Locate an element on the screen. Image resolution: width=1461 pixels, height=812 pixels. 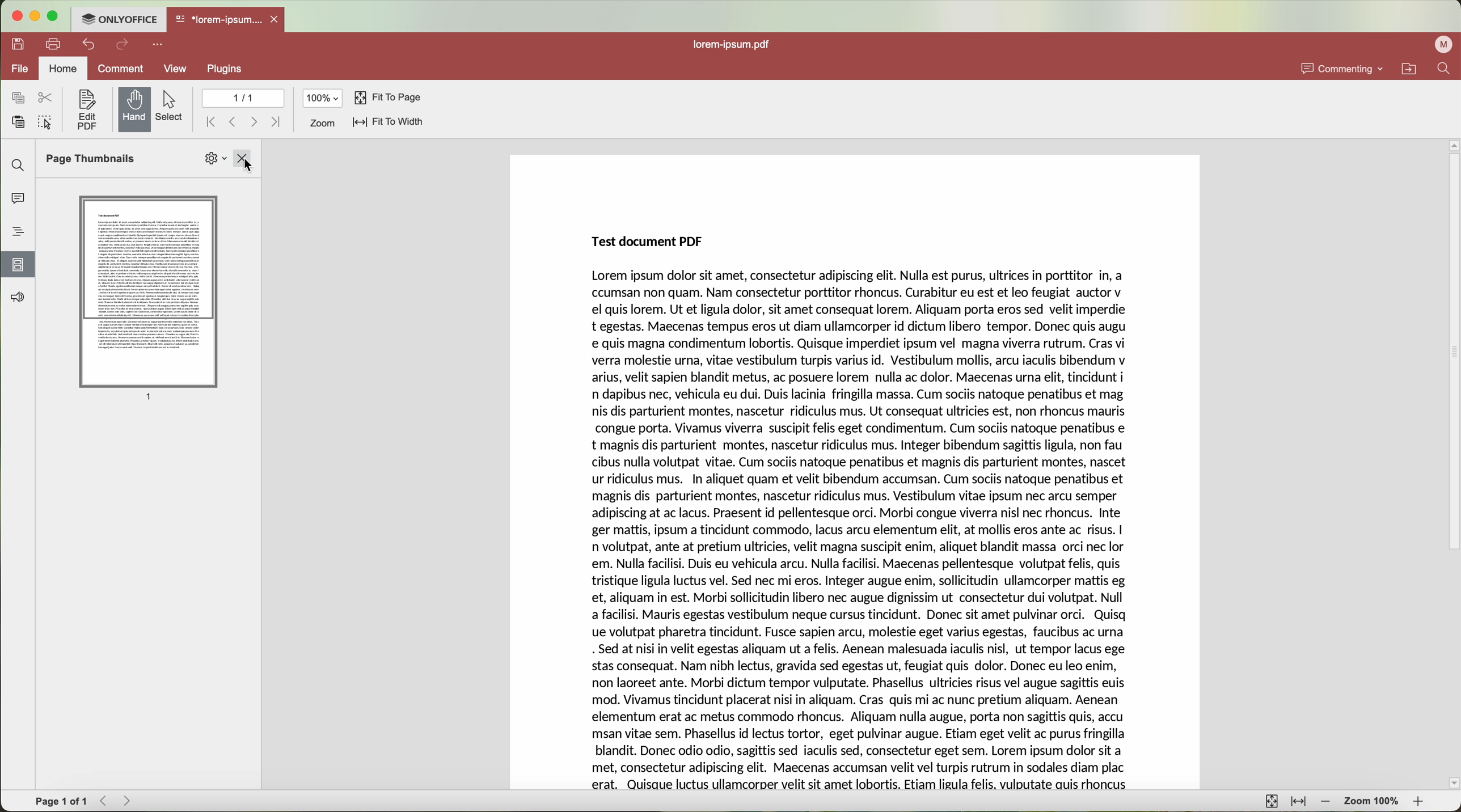
file is located at coordinates (15, 69).